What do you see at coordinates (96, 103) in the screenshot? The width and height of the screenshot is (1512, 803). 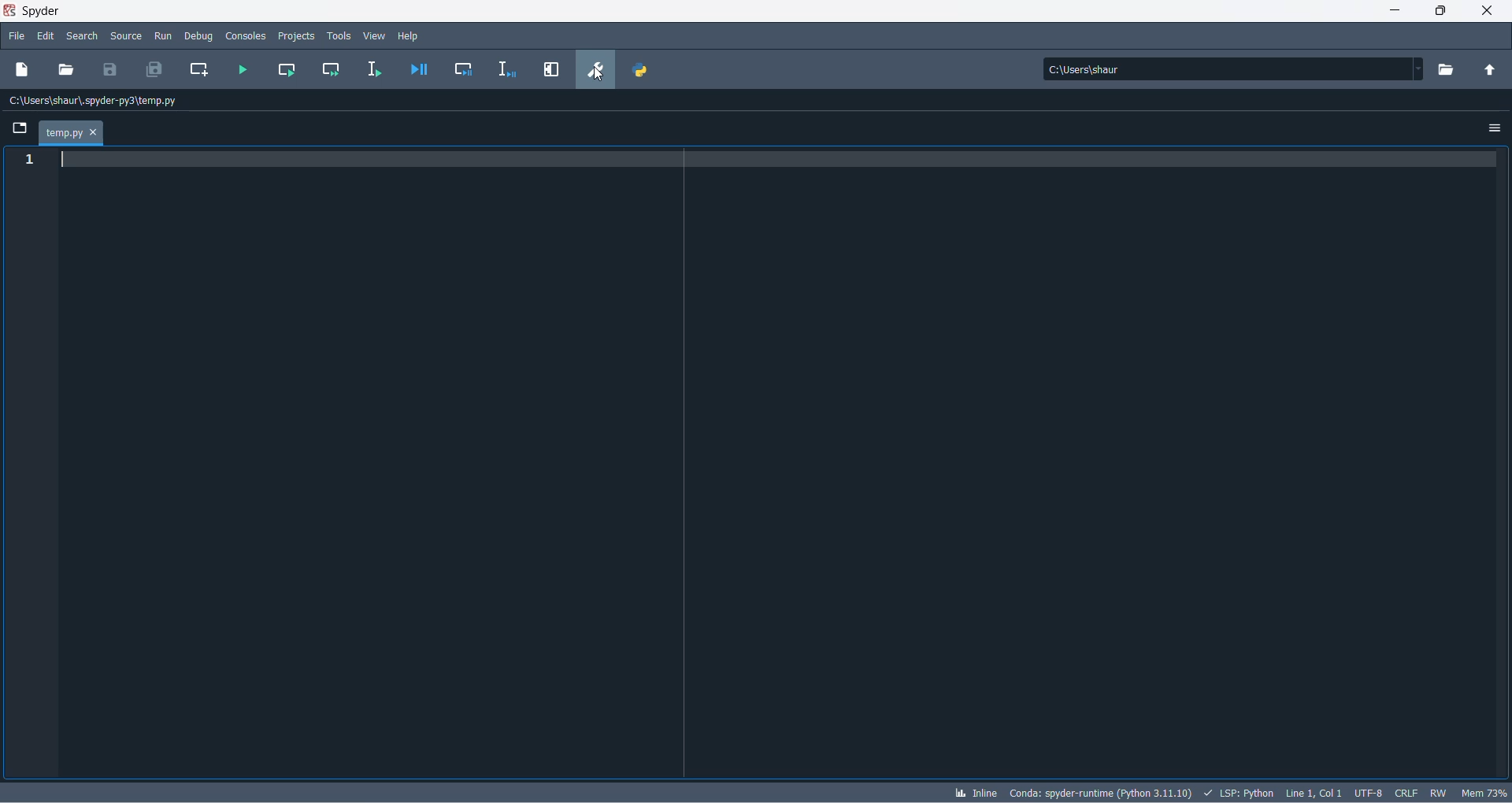 I see `path` at bounding box center [96, 103].